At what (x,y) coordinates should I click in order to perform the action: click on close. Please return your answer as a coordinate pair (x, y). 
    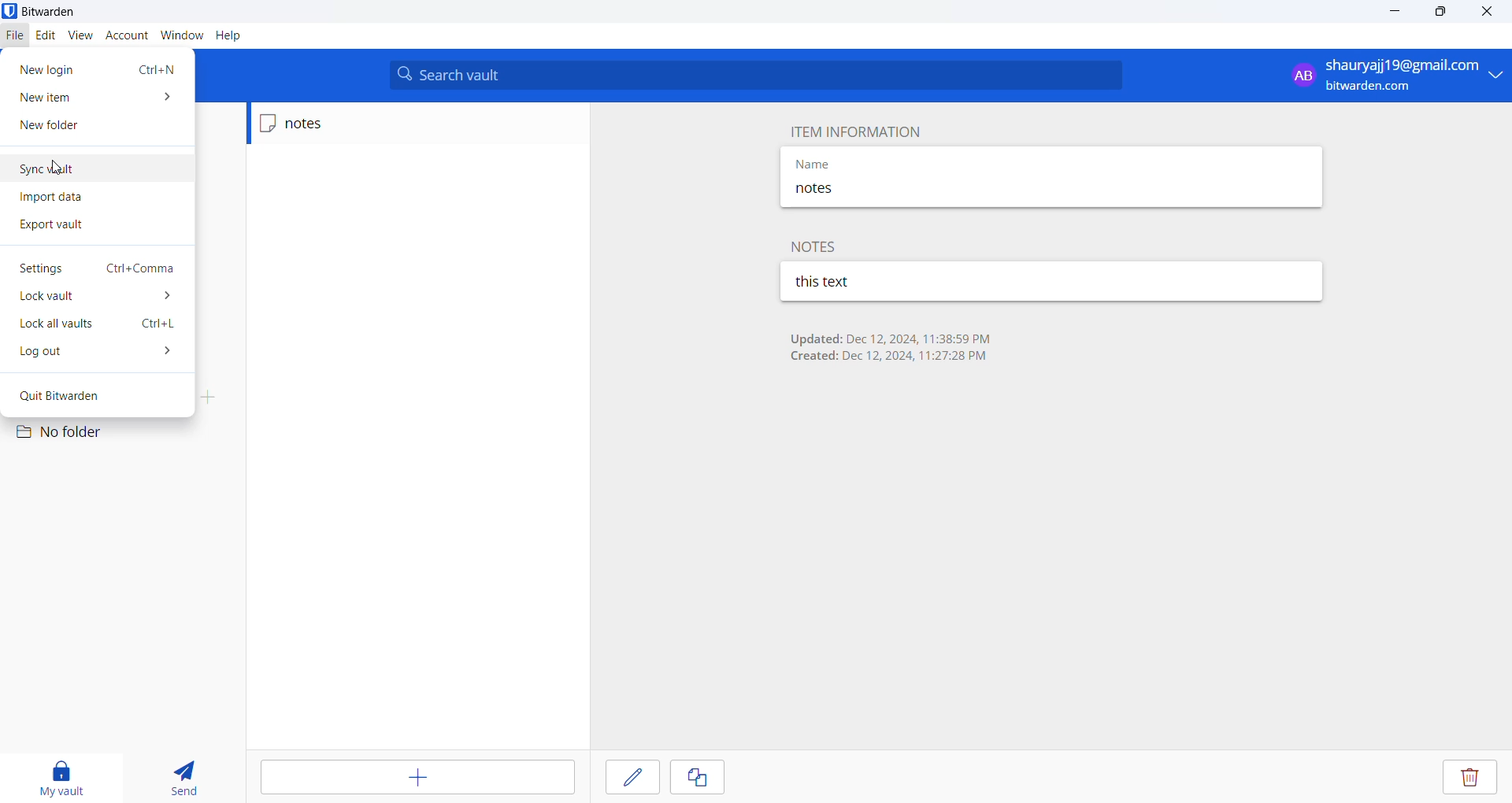
    Looking at the image, I should click on (1482, 12).